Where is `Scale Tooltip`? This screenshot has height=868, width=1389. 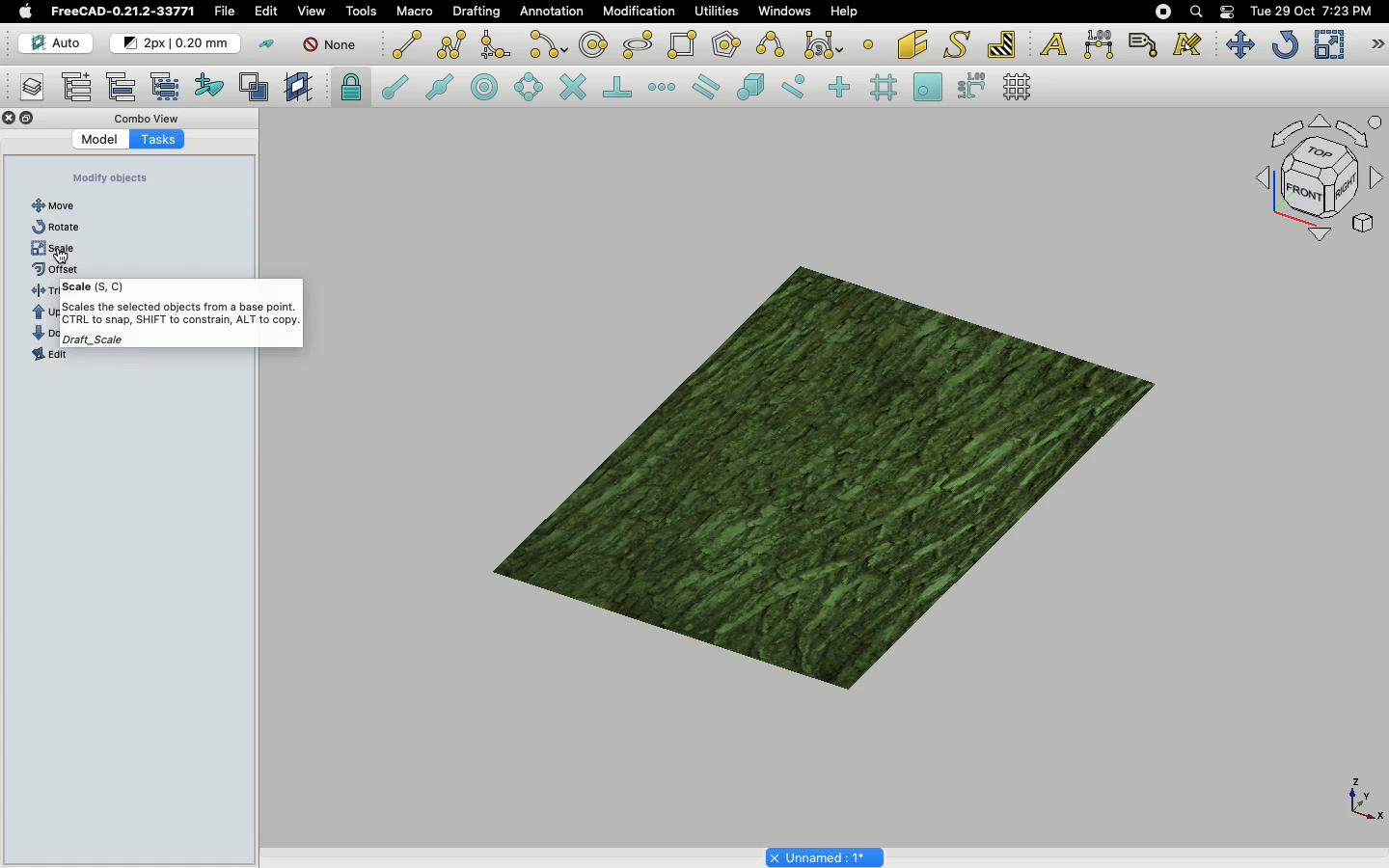
Scale Tooltip is located at coordinates (179, 310).